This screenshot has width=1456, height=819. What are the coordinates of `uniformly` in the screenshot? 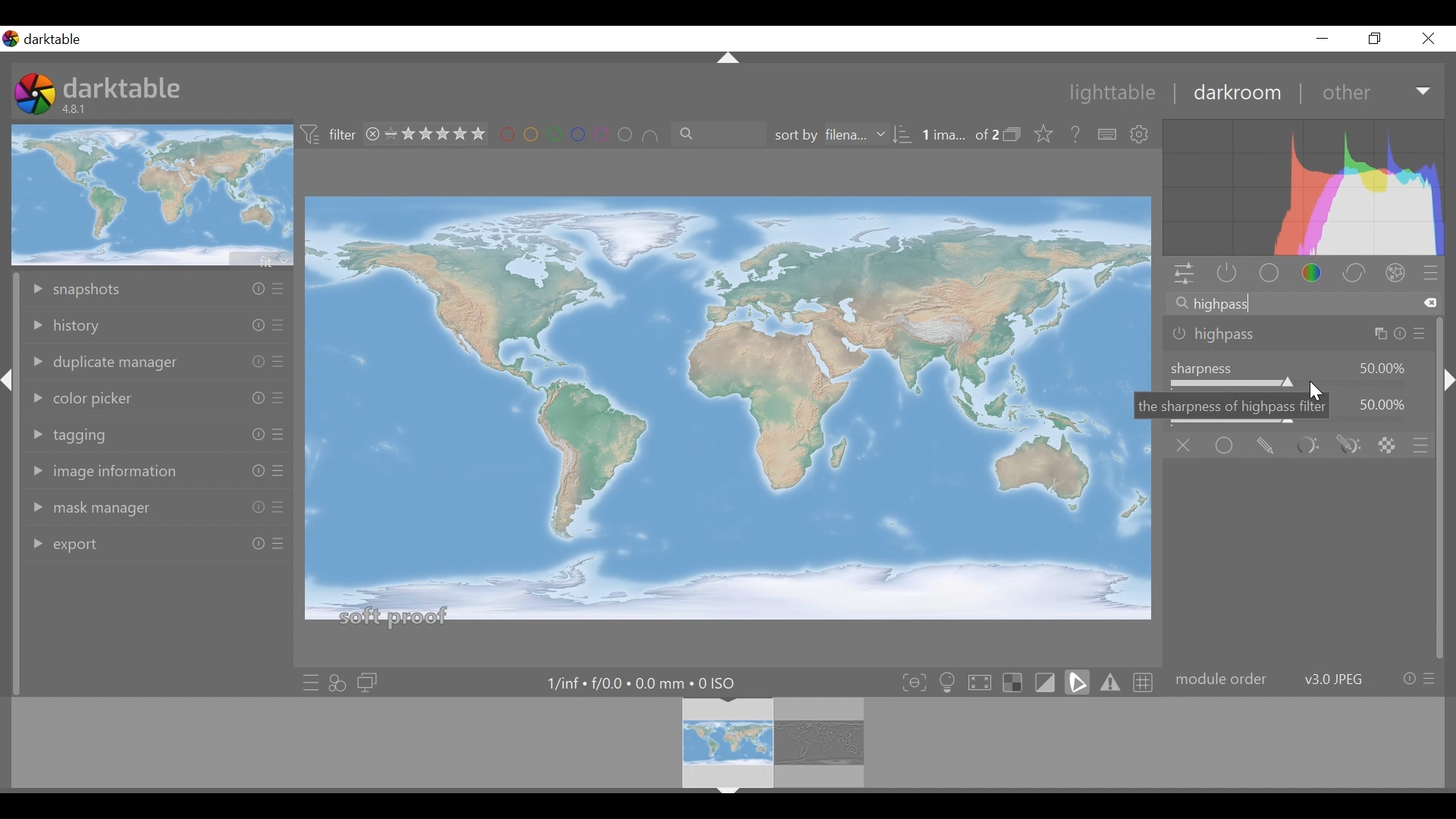 It's located at (1225, 446).